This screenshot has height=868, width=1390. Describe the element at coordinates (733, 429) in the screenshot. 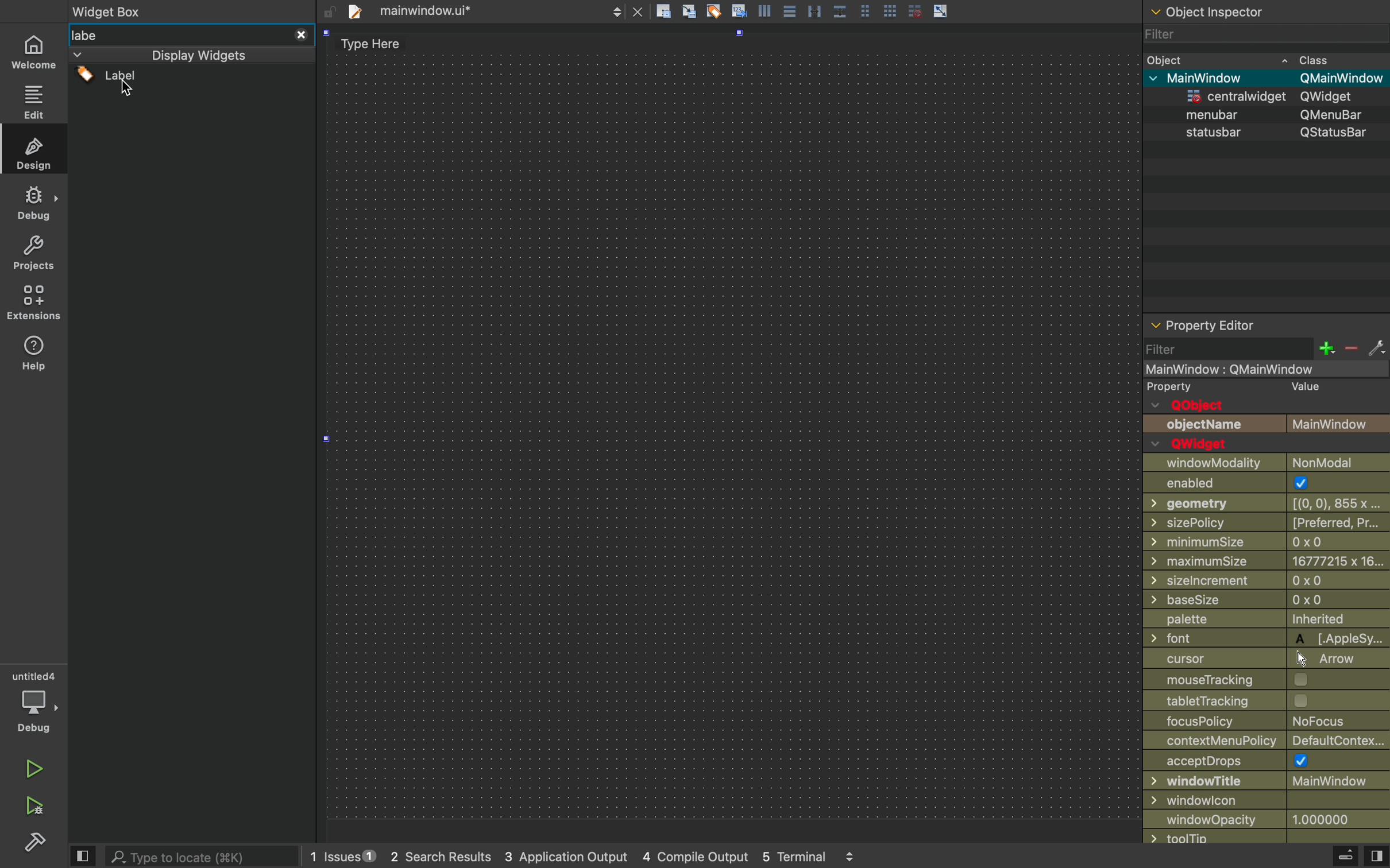

I see `design area` at that location.